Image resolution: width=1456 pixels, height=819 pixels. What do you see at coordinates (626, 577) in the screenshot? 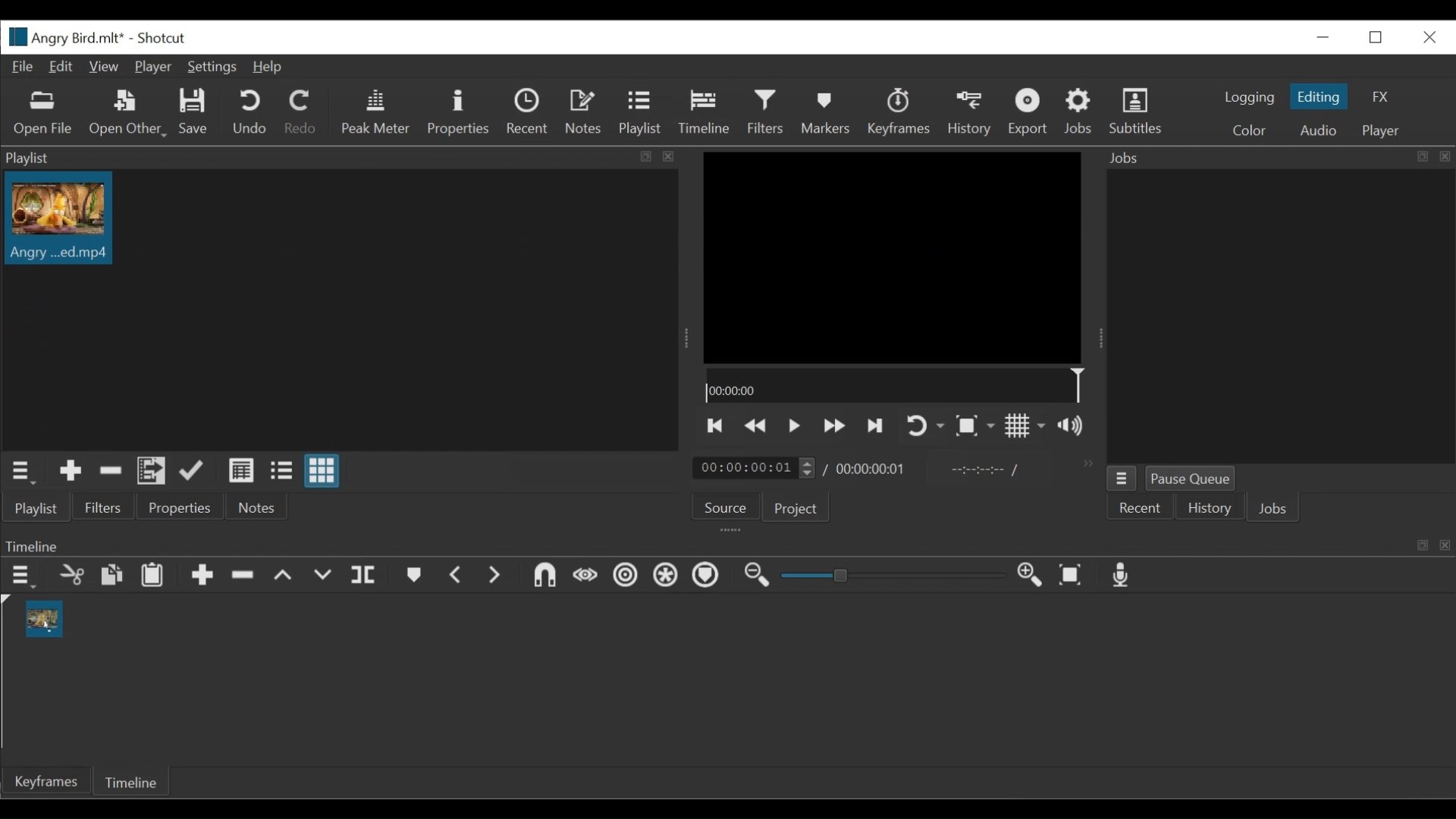
I see `Ripple` at bounding box center [626, 577].